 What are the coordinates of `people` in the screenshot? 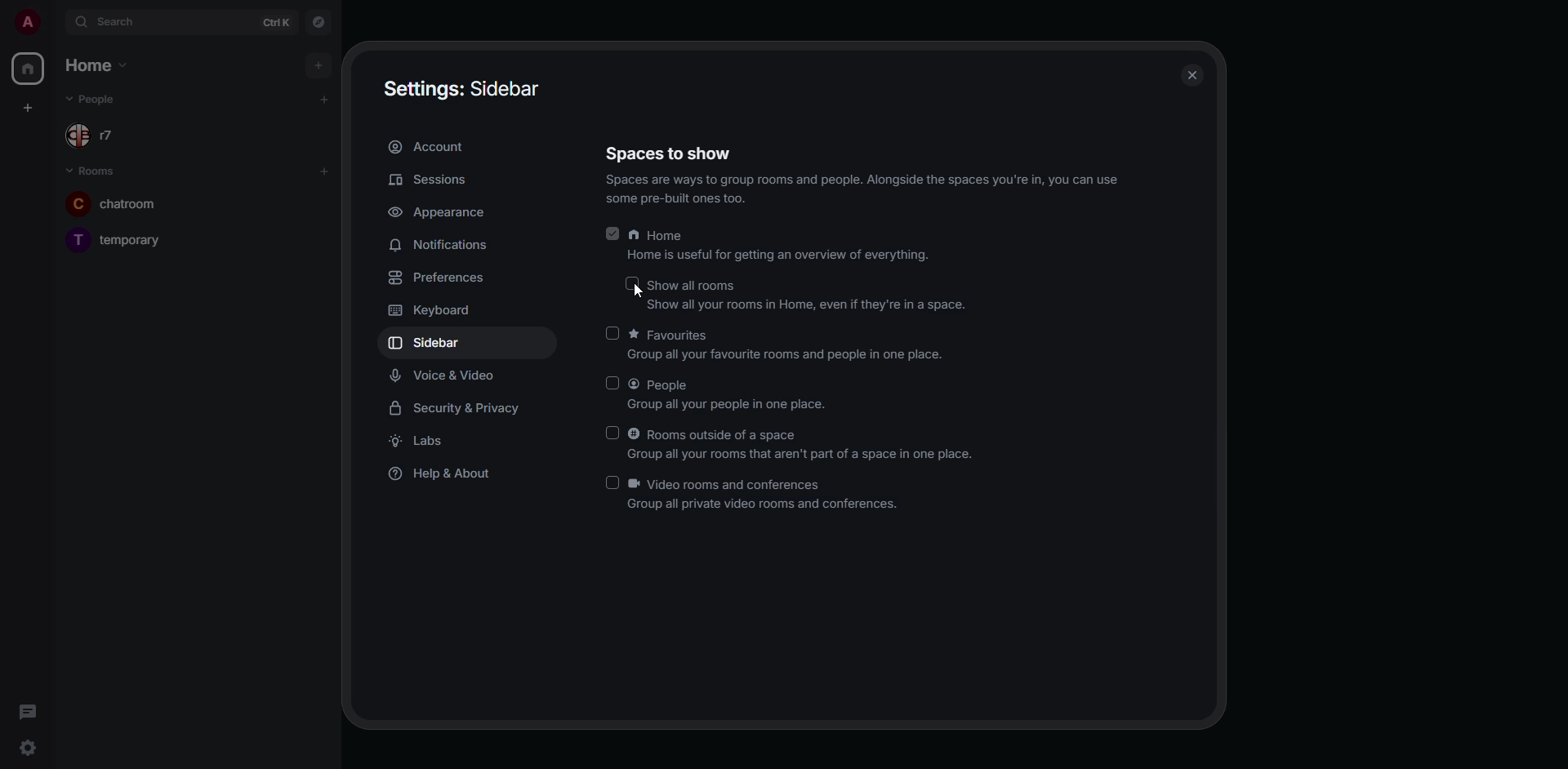 It's located at (731, 394).